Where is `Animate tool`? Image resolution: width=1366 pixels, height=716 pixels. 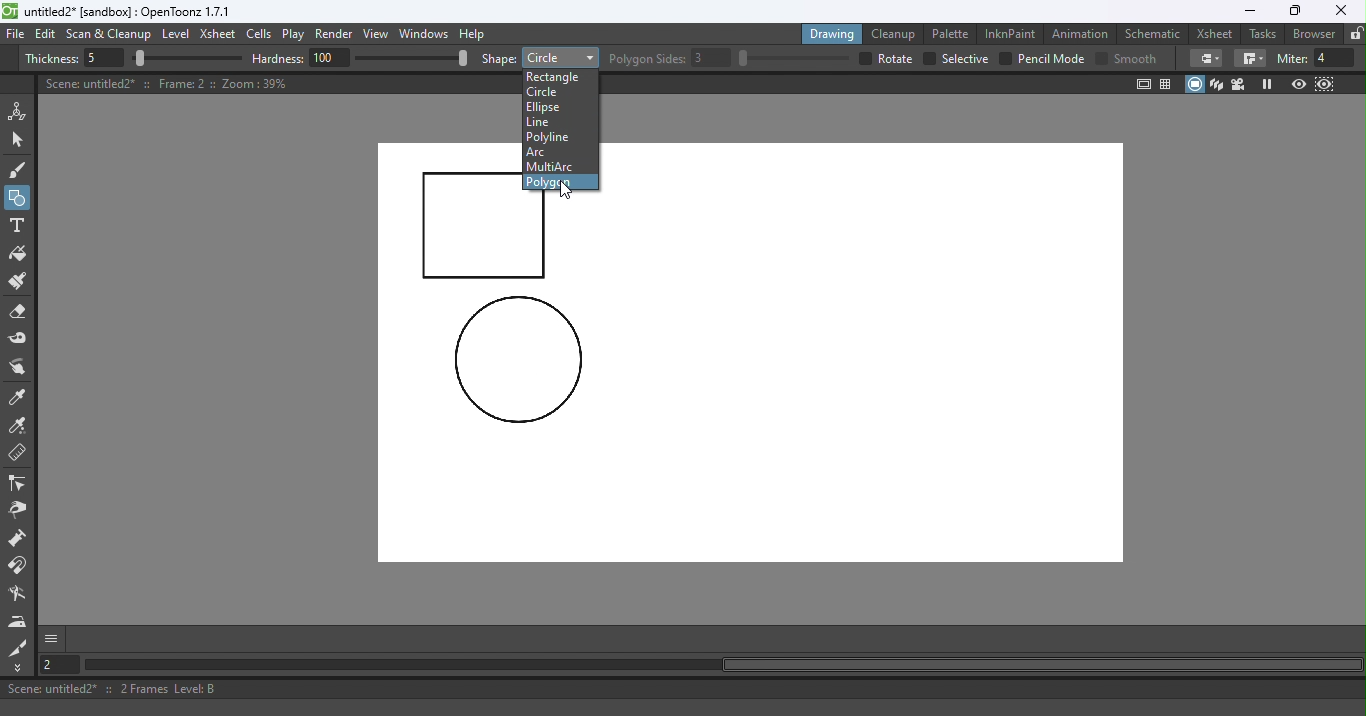
Animate tool is located at coordinates (21, 111).